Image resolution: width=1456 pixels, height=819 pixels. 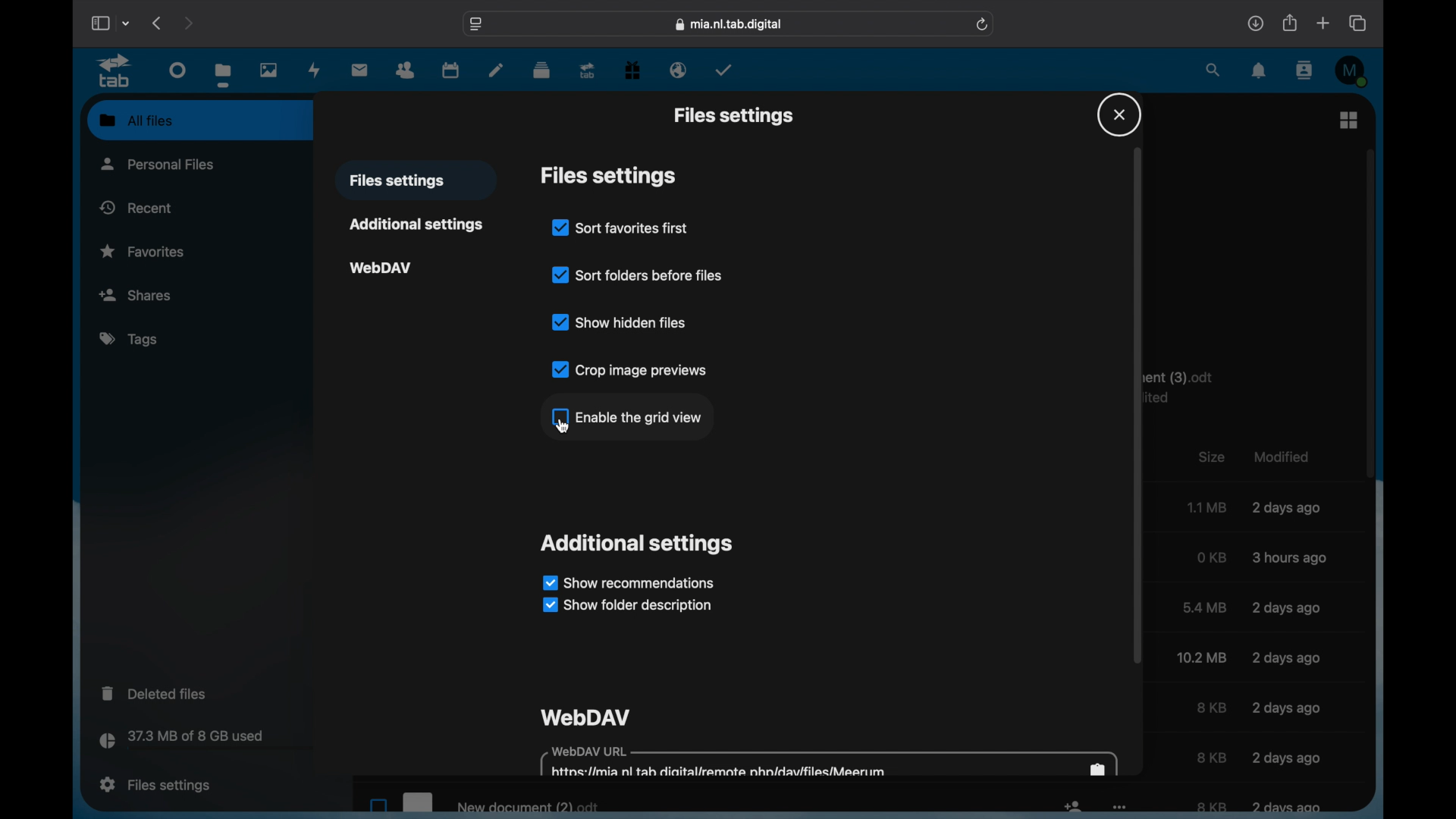 I want to click on search, so click(x=1212, y=70).